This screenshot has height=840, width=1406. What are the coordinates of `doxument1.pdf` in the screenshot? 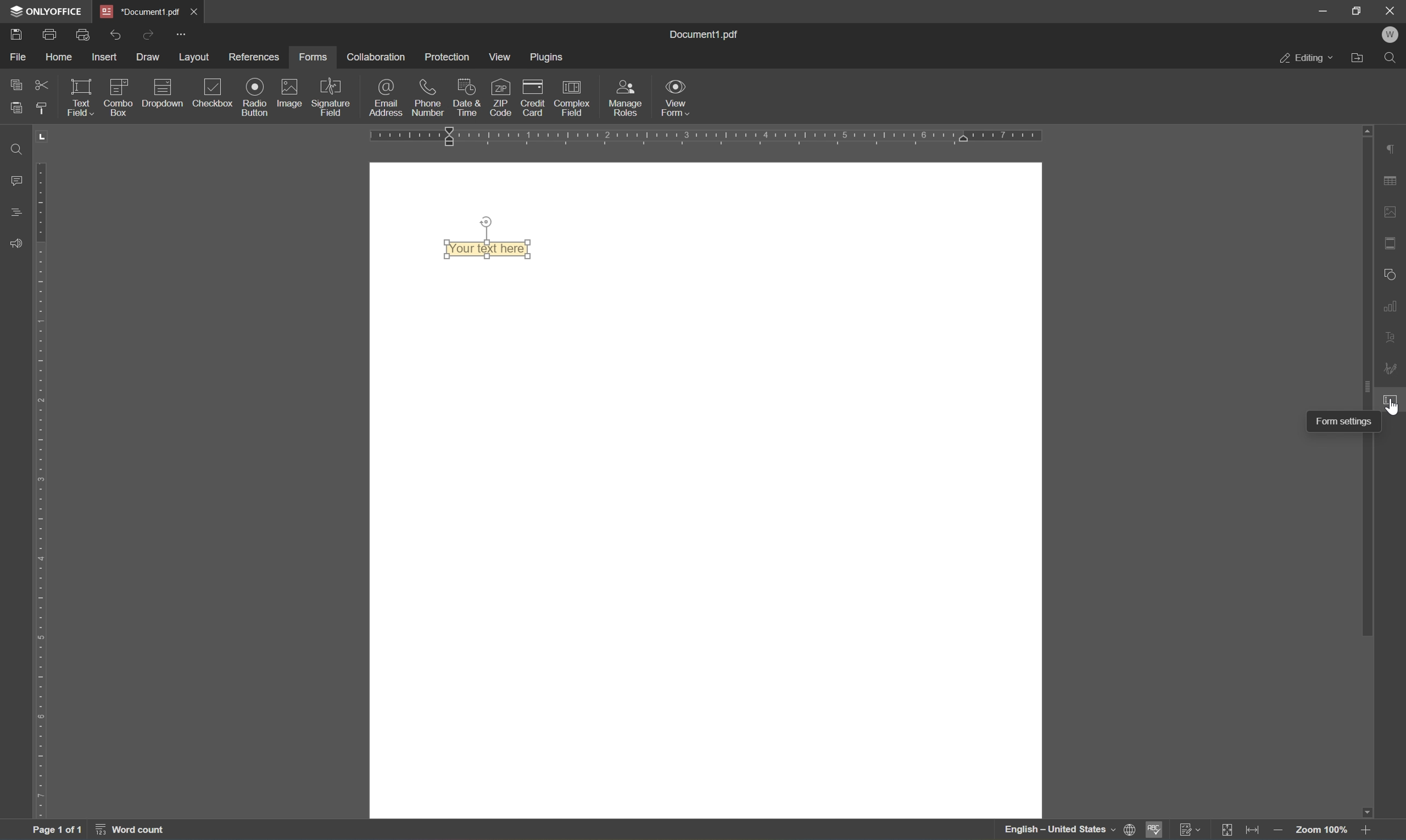 It's located at (139, 12).